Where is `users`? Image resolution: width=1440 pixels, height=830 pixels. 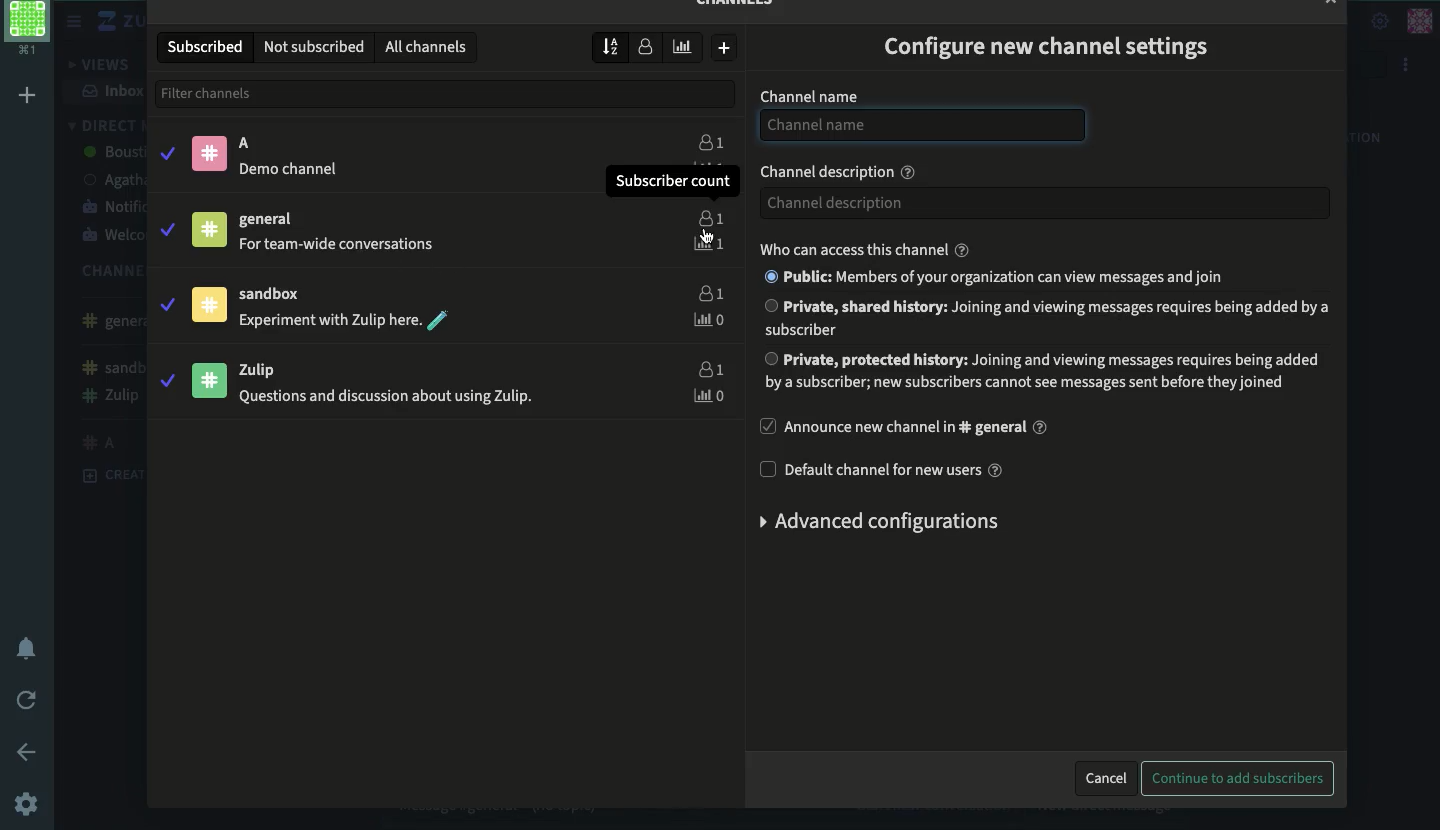
users is located at coordinates (705, 311).